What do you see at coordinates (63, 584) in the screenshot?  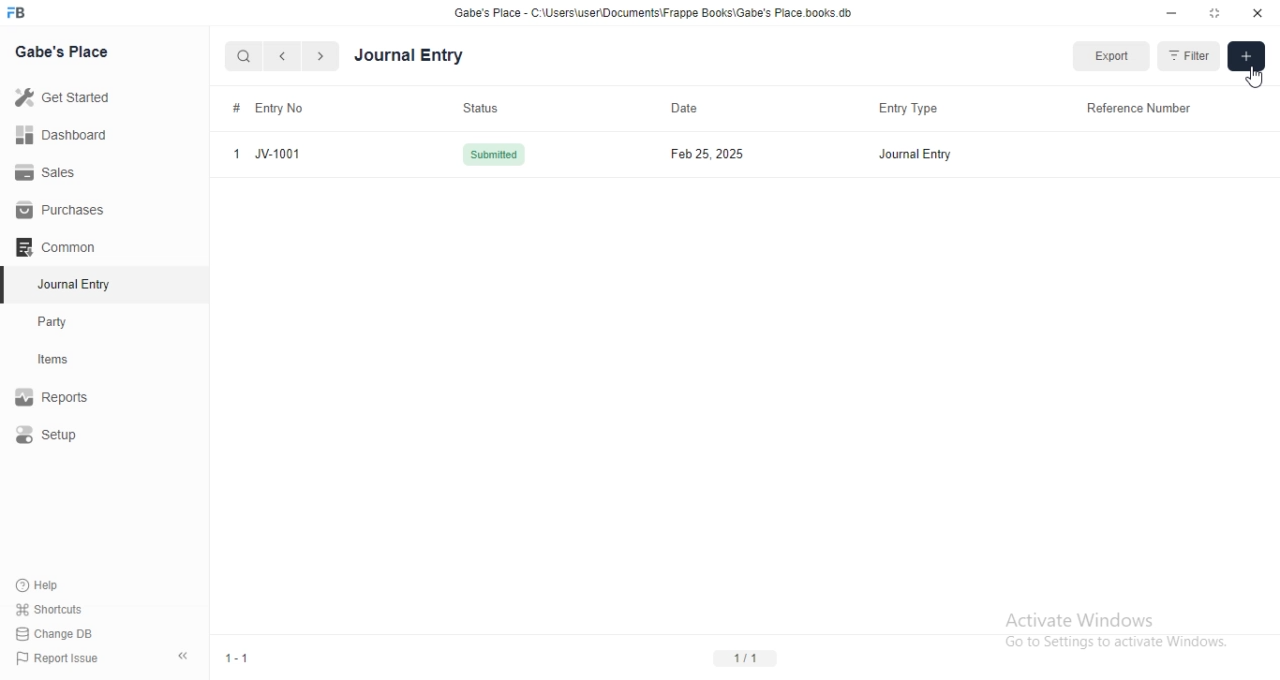 I see `Help` at bounding box center [63, 584].